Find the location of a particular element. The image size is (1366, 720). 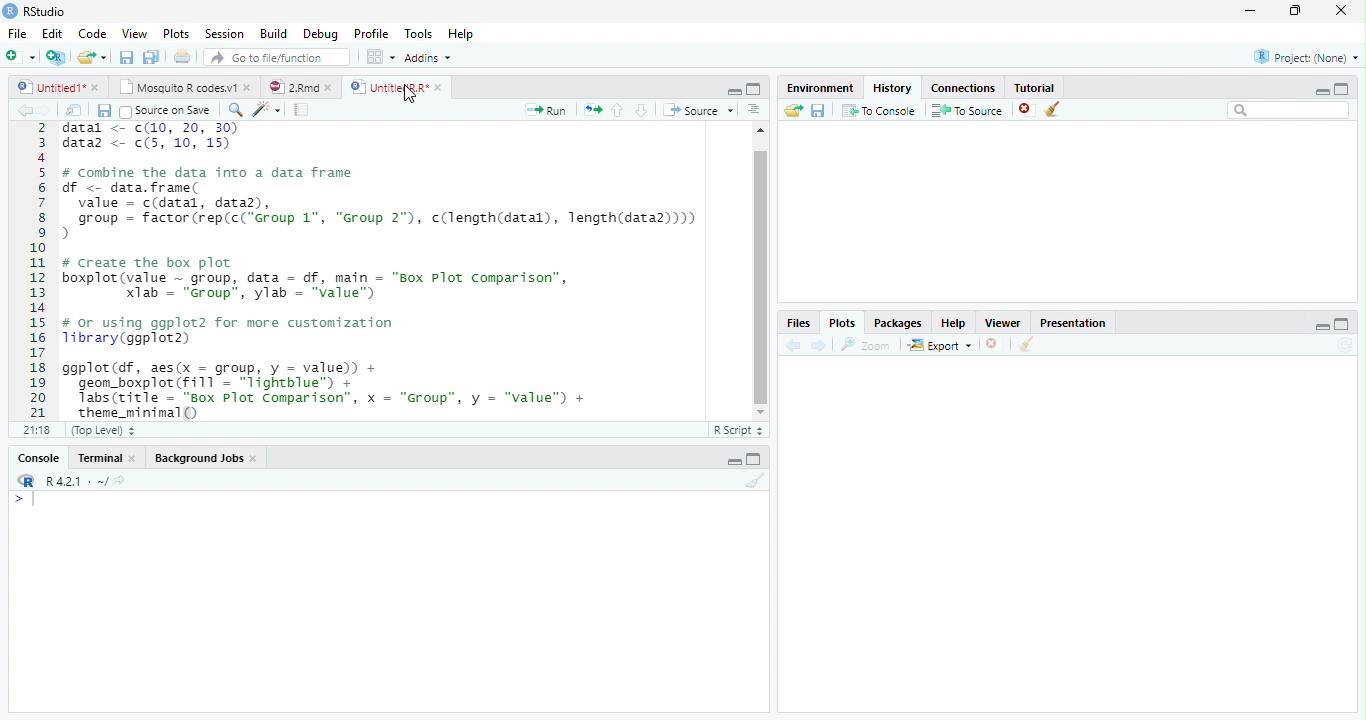

Find/Replace is located at coordinates (235, 110).